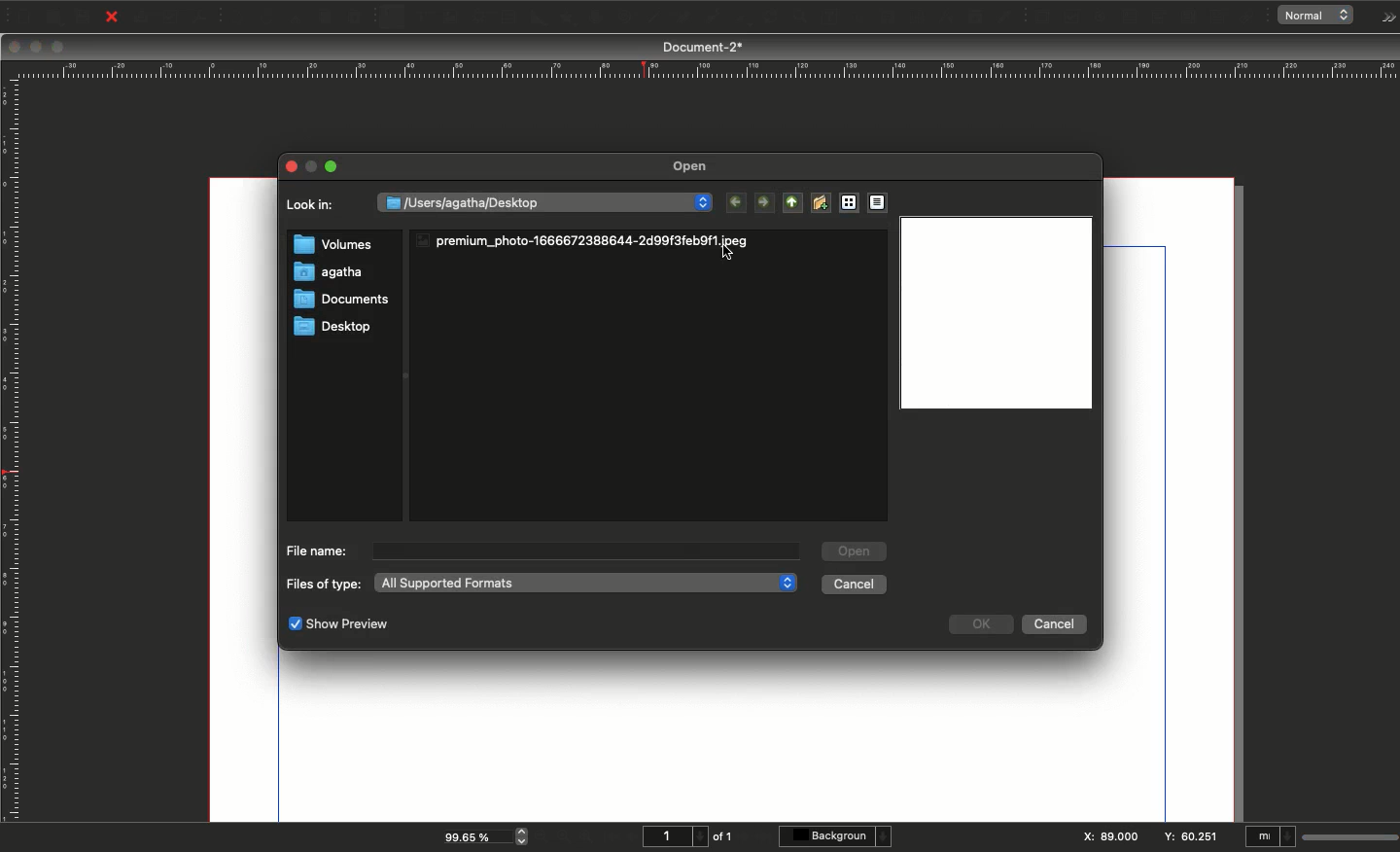 This screenshot has width=1400, height=852. Describe the element at coordinates (880, 17) in the screenshot. I see `Link text frames` at that location.